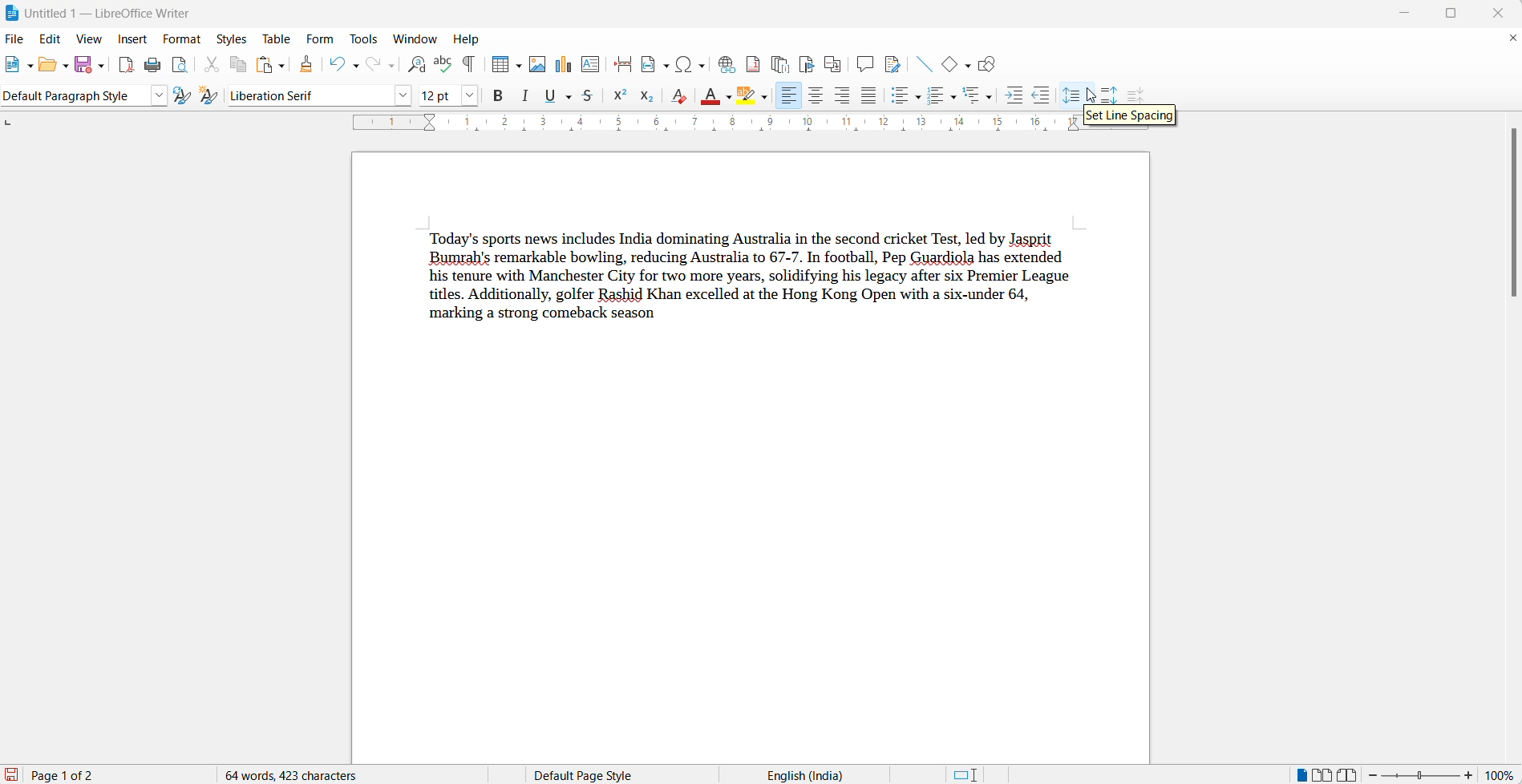  What do you see at coordinates (354, 66) in the screenshot?
I see `undo options` at bounding box center [354, 66].